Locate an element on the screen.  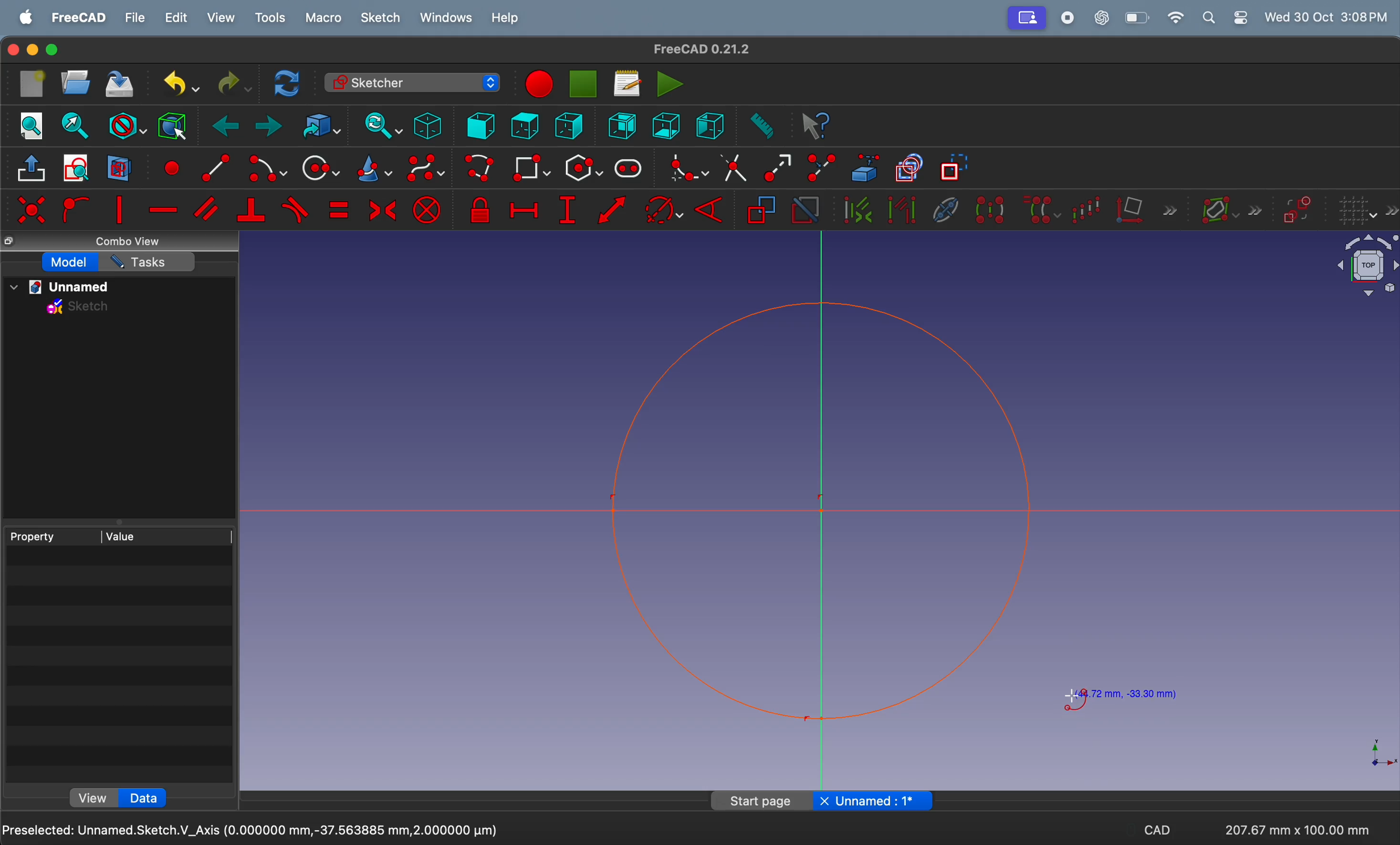
grid is located at coordinates (1367, 211).